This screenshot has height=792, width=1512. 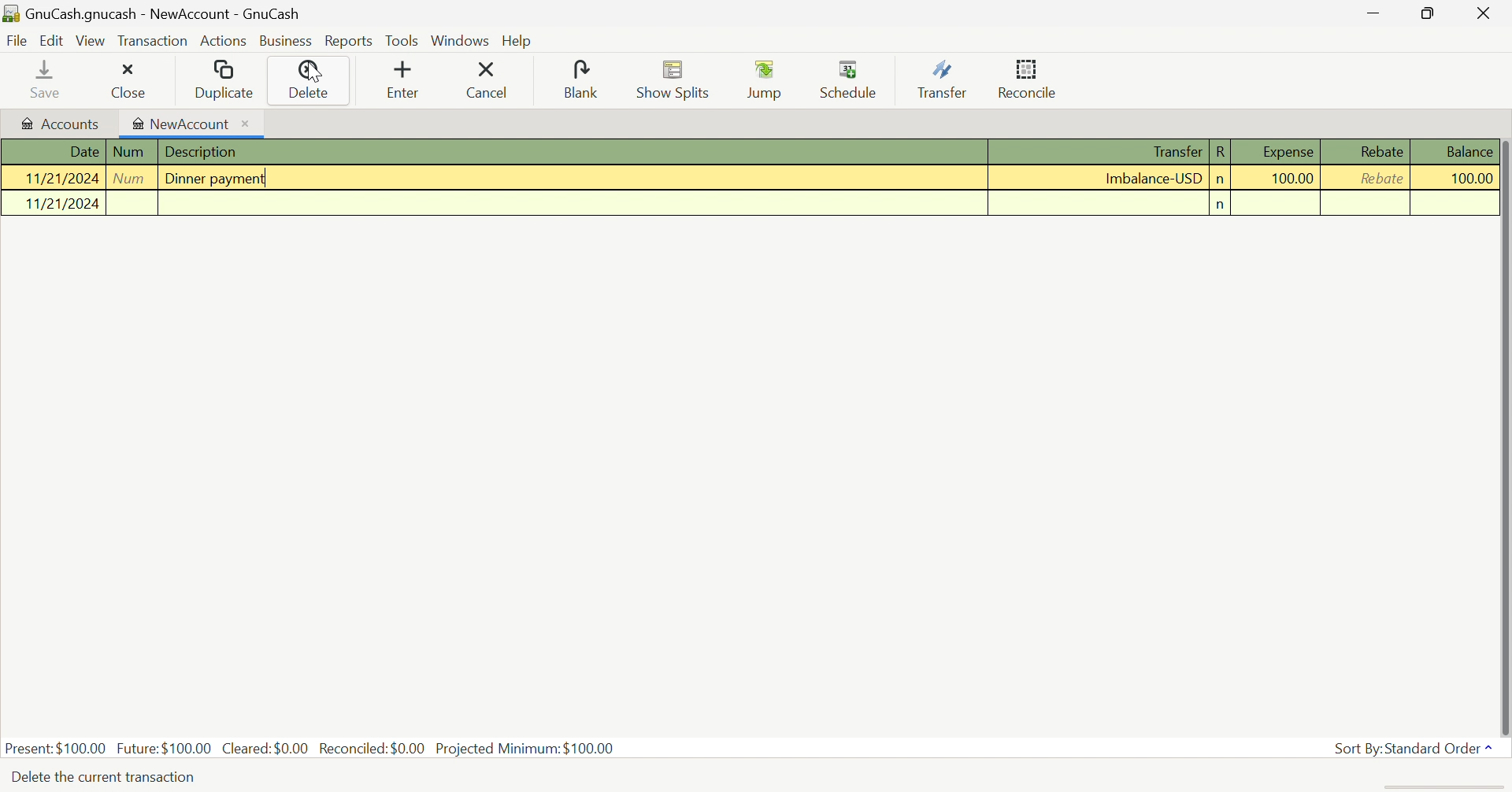 I want to click on n, so click(x=1221, y=206).